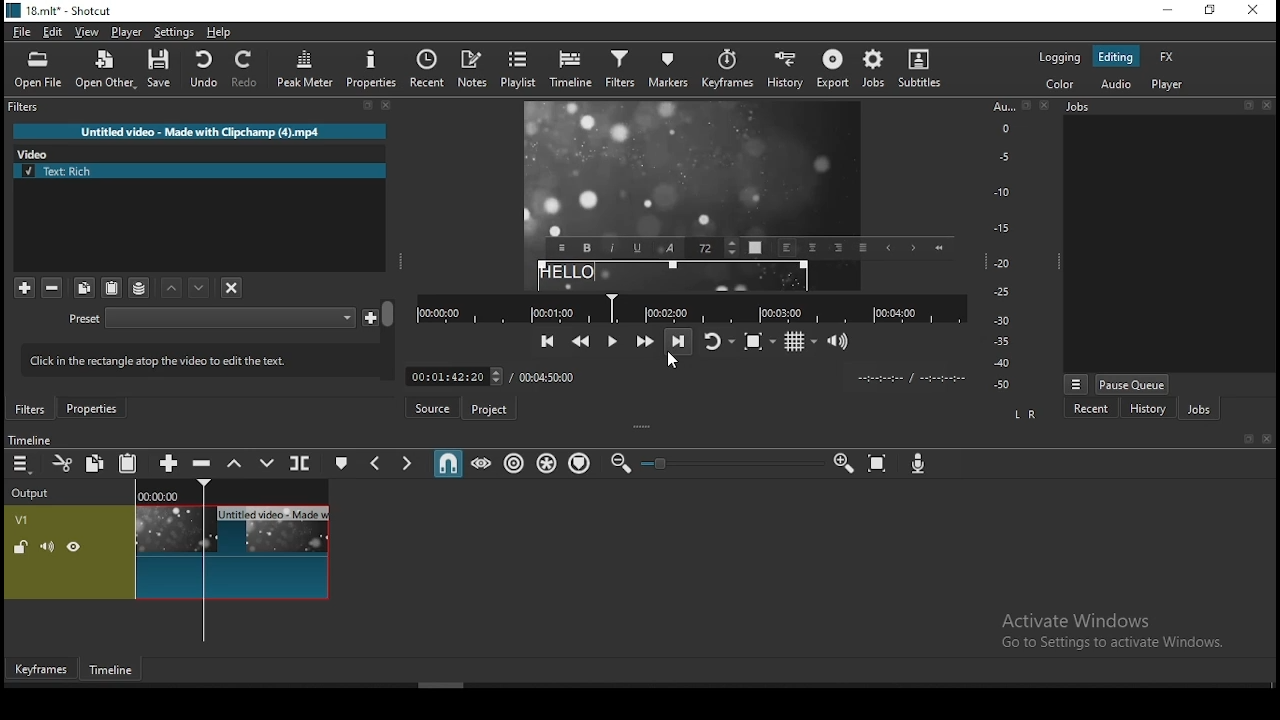  I want to click on help, so click(219, 33).